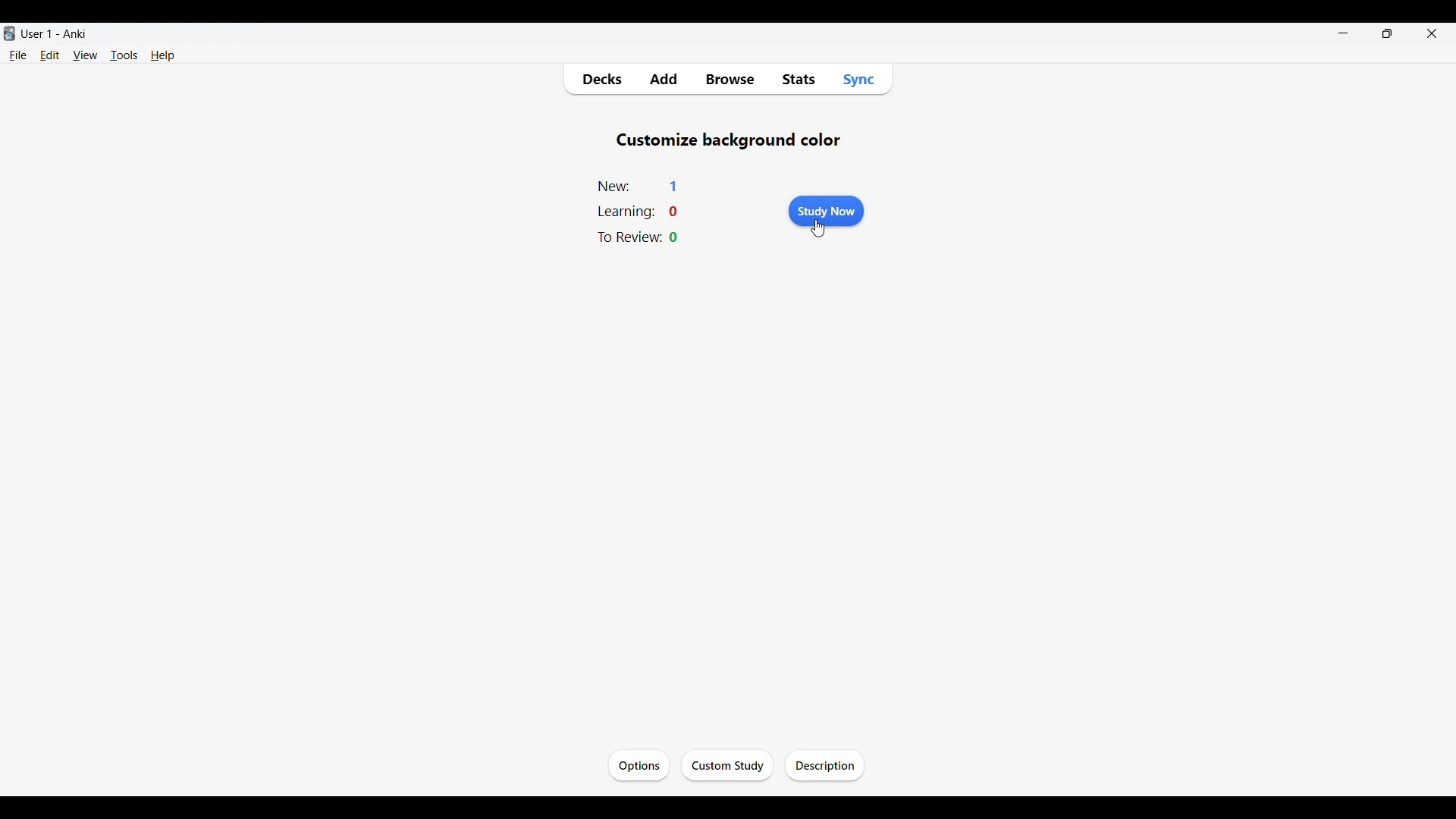 This screenshot has height=819, width=1456. I want to click on File menu, so click(17, 55).